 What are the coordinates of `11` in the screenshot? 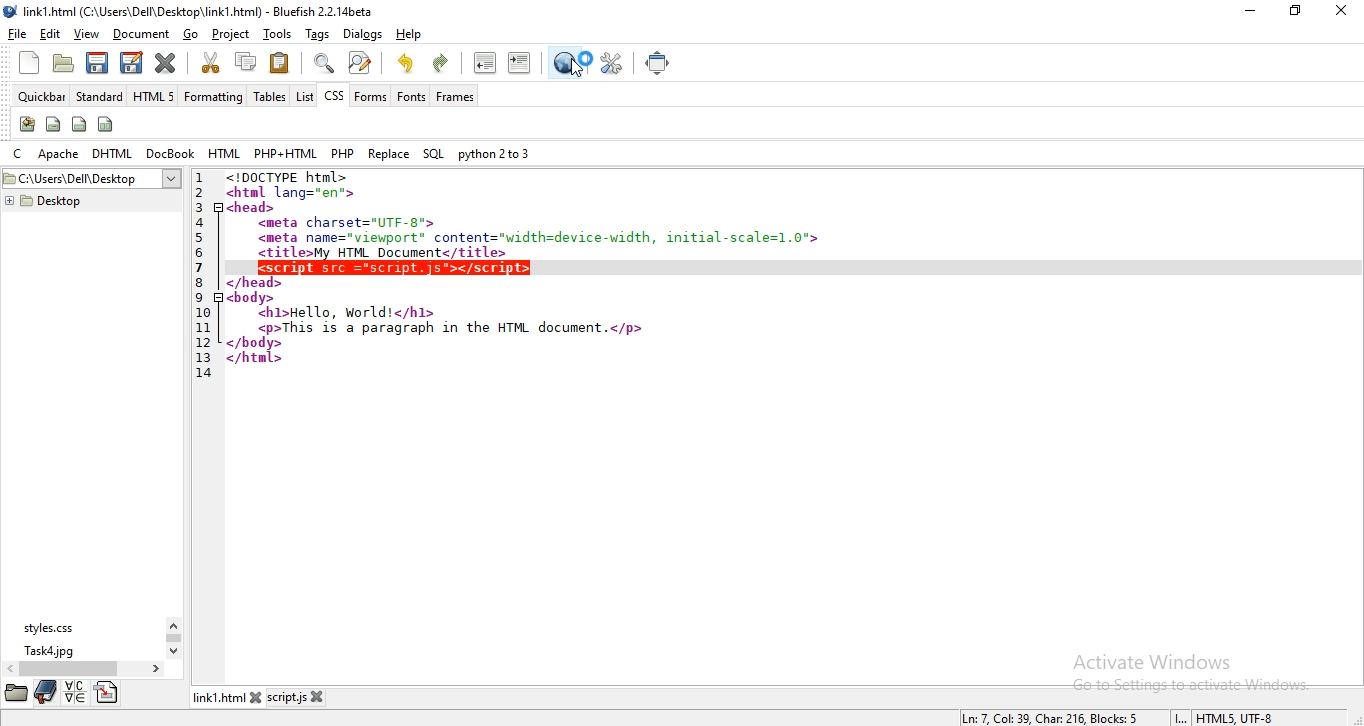 It's located at (203, 328).